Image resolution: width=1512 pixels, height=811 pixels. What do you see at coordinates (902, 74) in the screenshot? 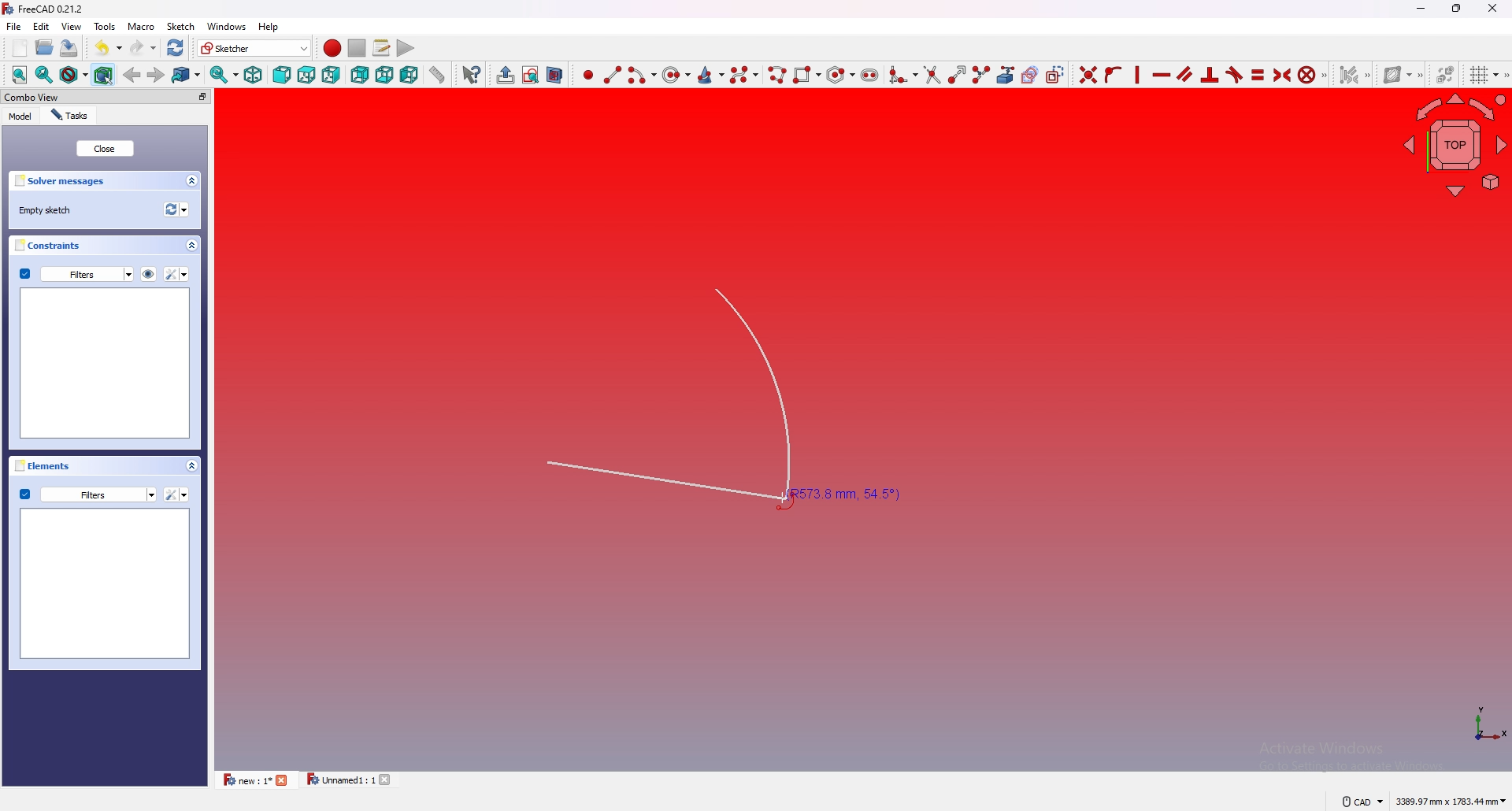
I see `create fillet` at bounding box center [902, 74].